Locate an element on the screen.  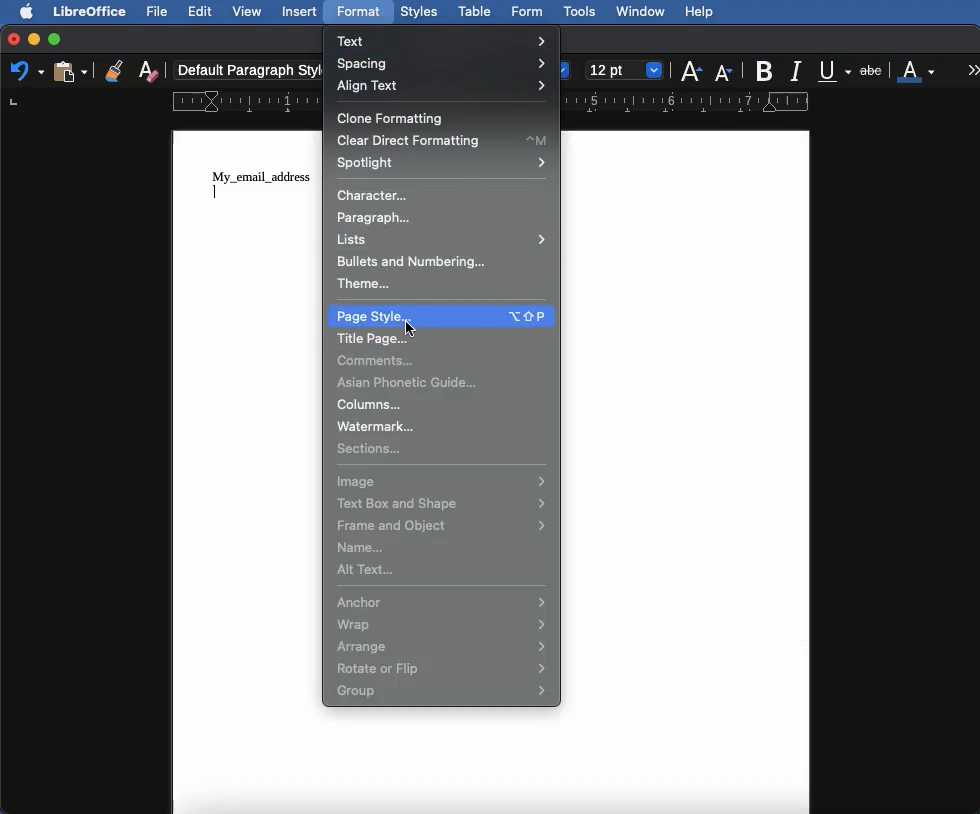
Strikethrough  is located at coordinates (873, 69).